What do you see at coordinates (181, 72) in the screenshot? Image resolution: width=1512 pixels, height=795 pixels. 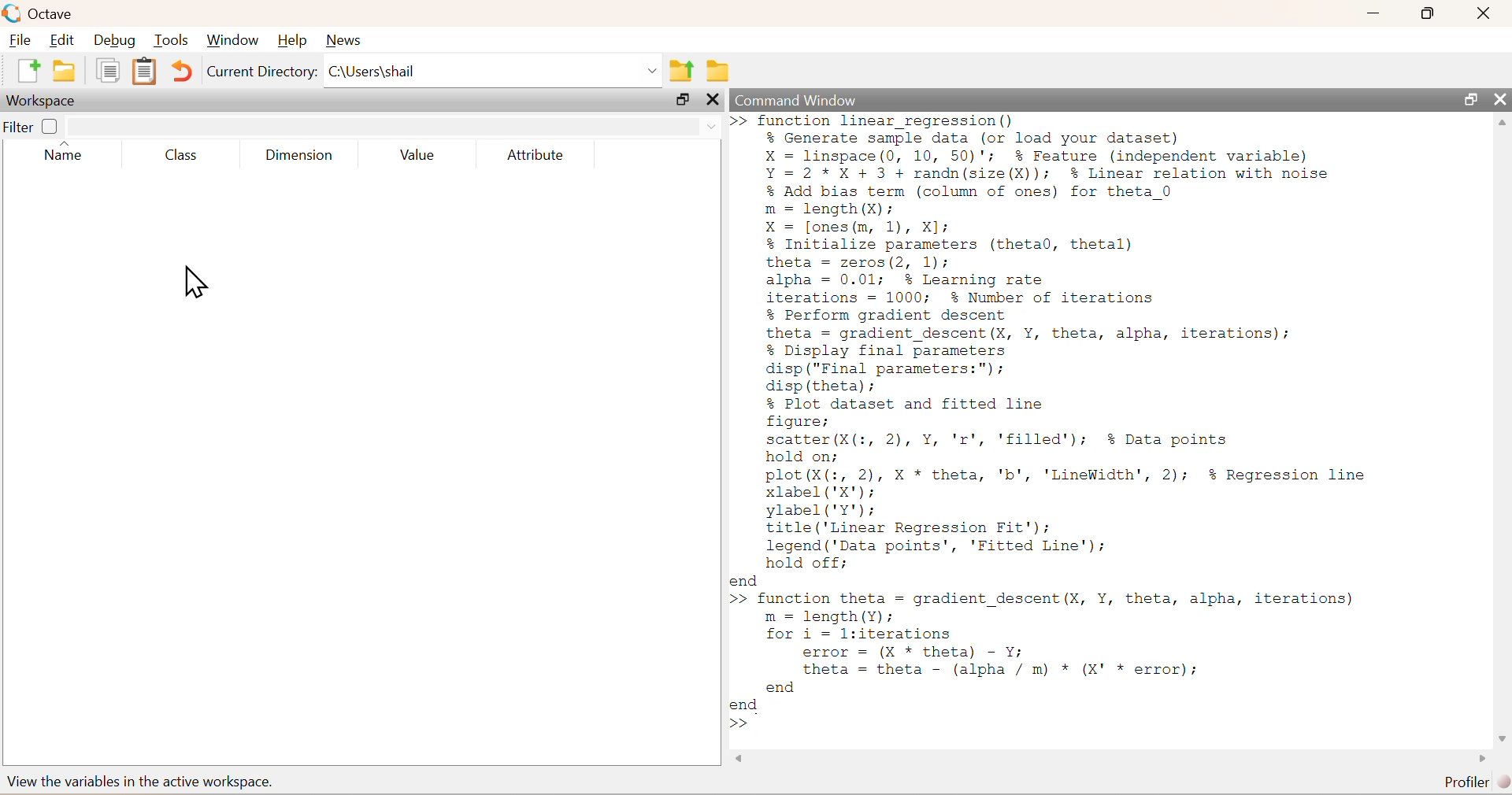 I see `Undo` at bounding box center [181, 72].